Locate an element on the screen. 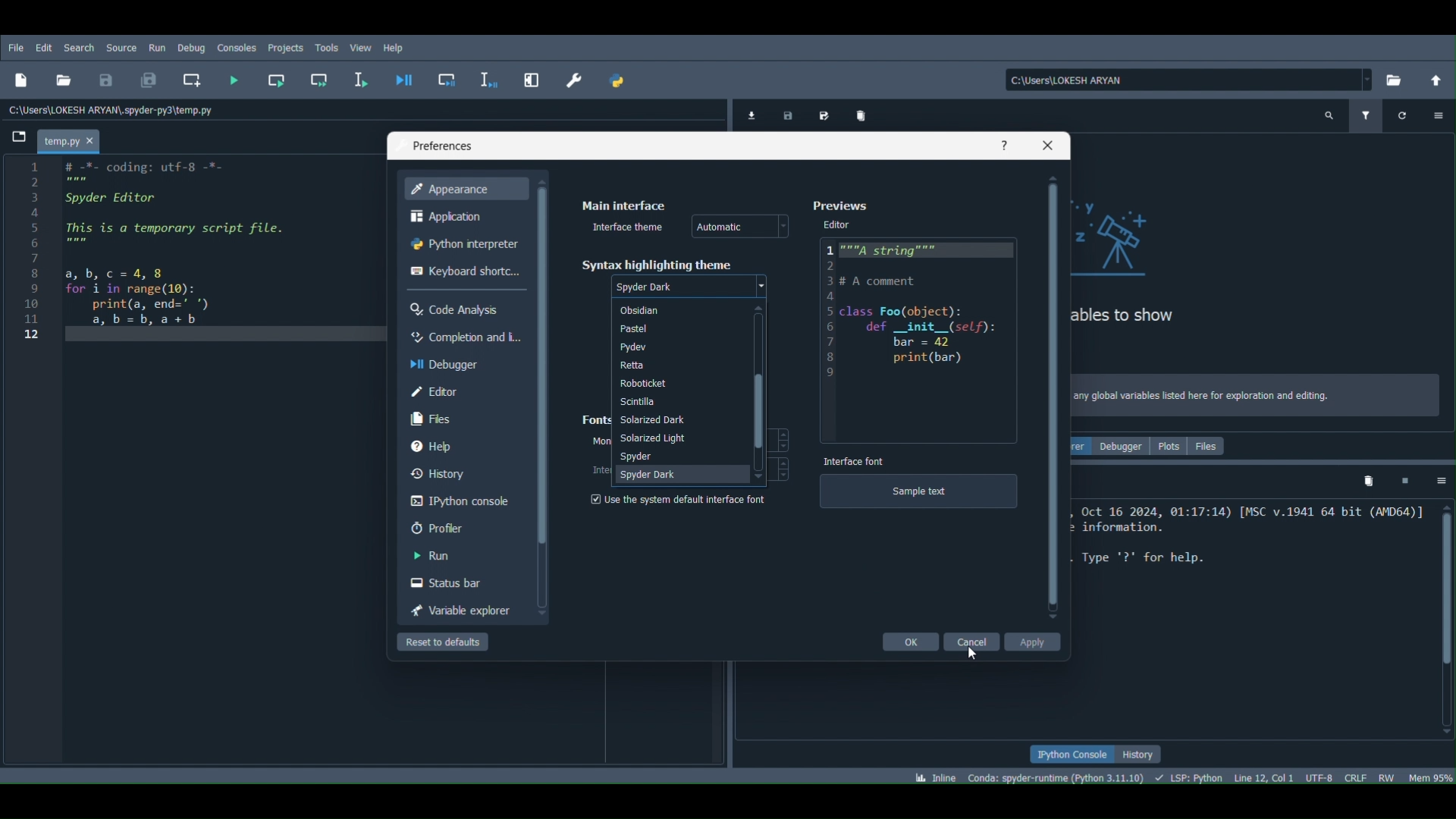 The height and width of the screenshot is (819, 1456). Help is located at coordinates (392, 48).